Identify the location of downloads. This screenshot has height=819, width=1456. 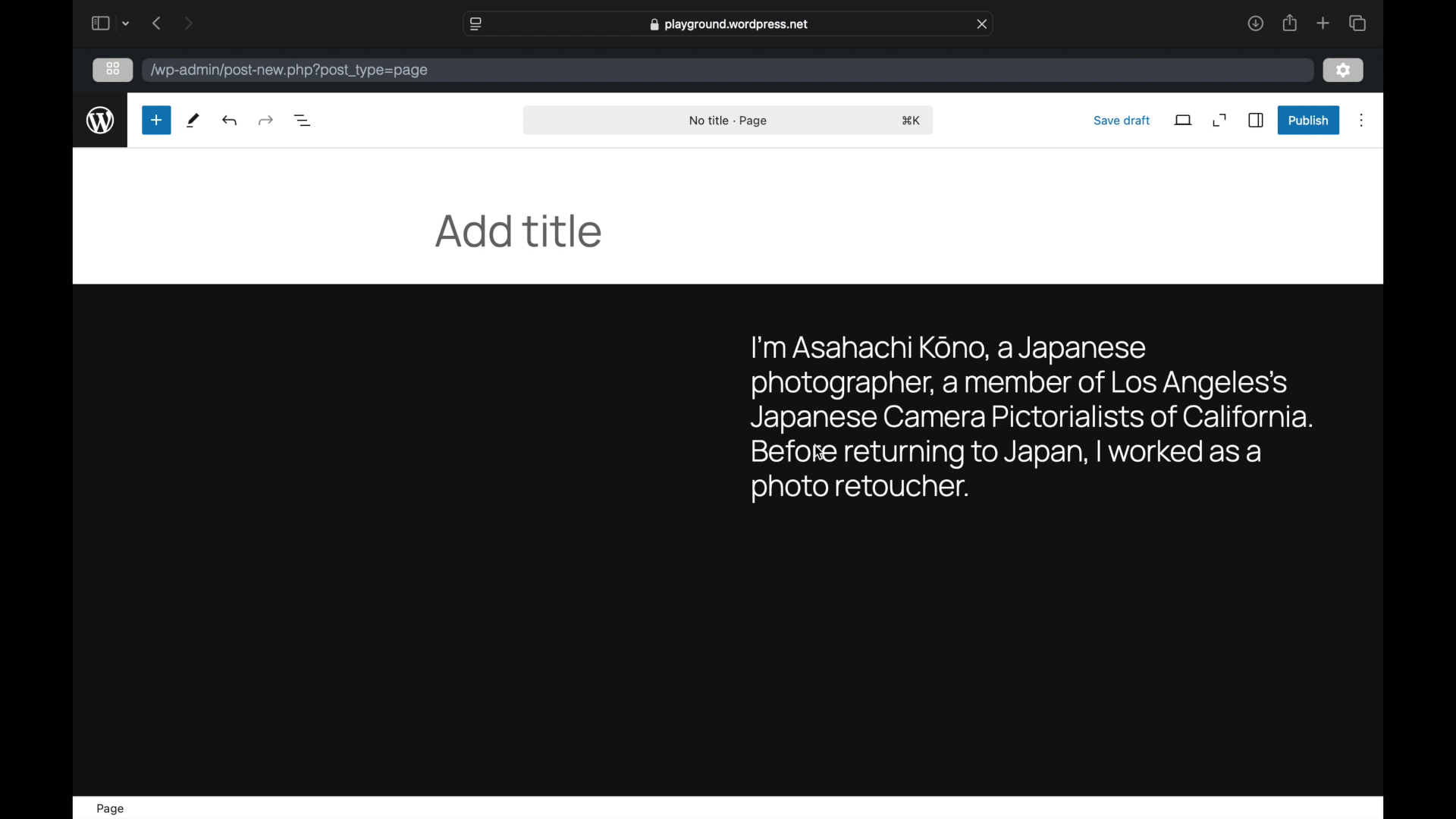
(1256, 23).